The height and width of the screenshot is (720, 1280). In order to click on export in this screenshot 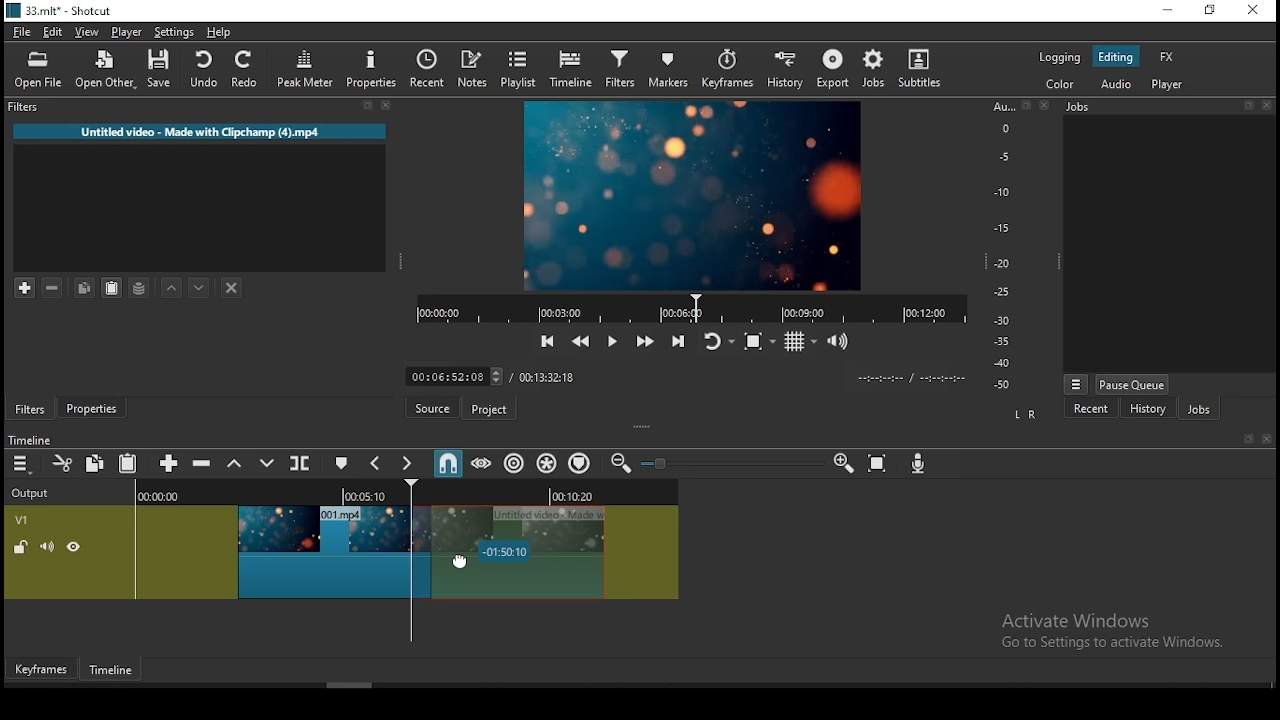, I will do `click(831, 69)`.